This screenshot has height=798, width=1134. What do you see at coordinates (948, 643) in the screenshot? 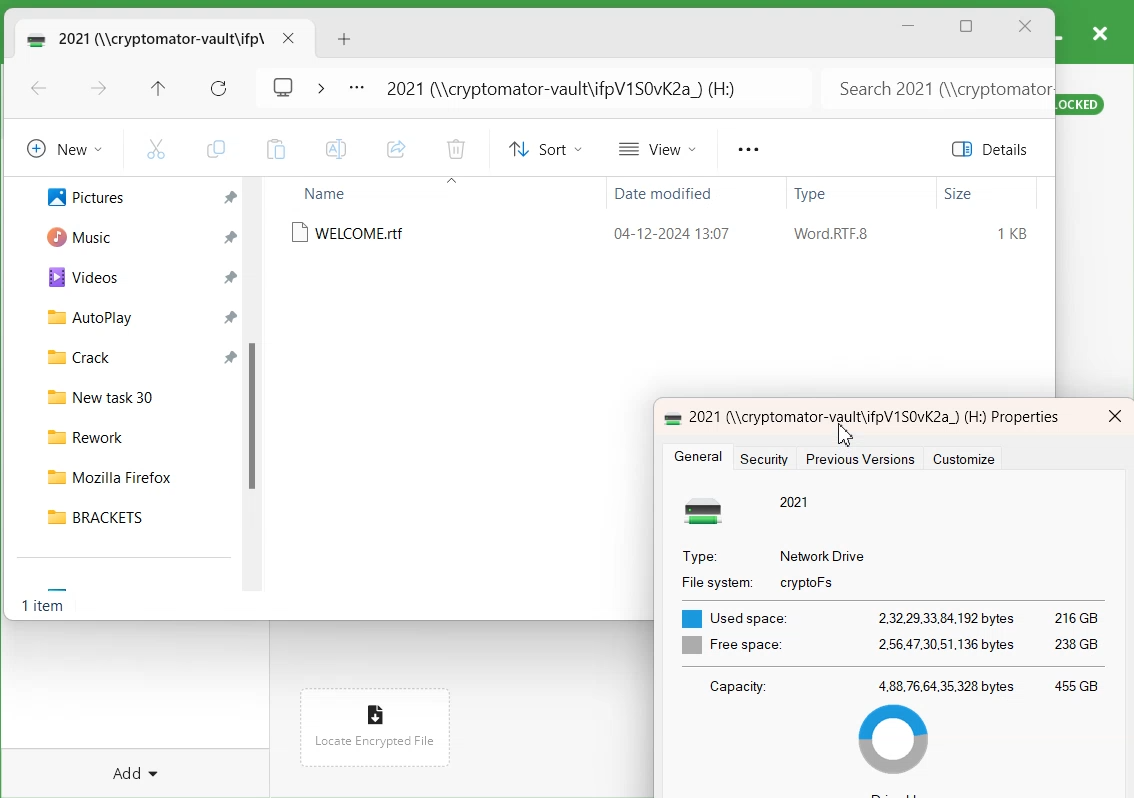
I see `256.47.30.51.136 bytes.` at bounding box center [948, 643].